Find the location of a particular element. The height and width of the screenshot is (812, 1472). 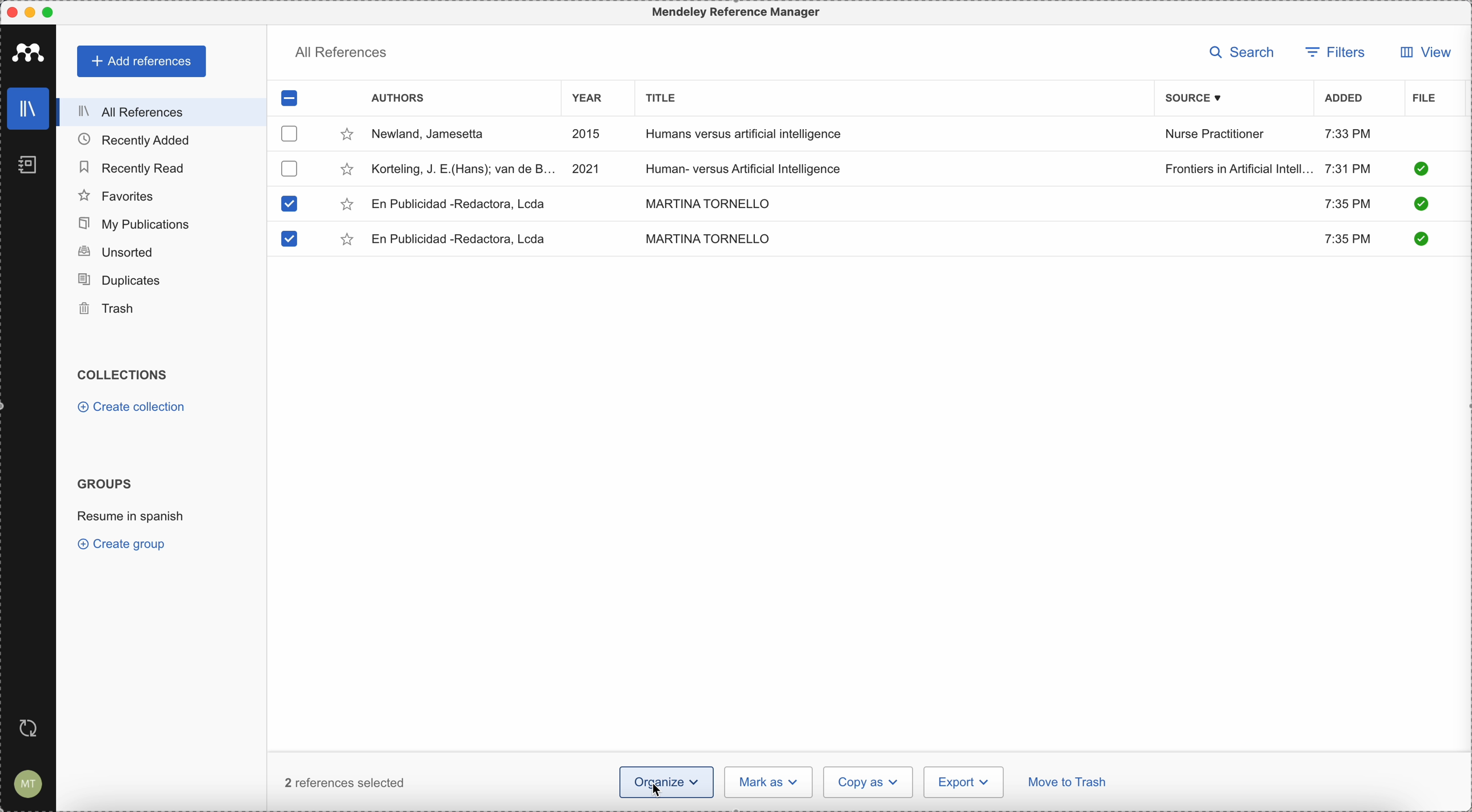

filters is located at coordinates (1335, 54).